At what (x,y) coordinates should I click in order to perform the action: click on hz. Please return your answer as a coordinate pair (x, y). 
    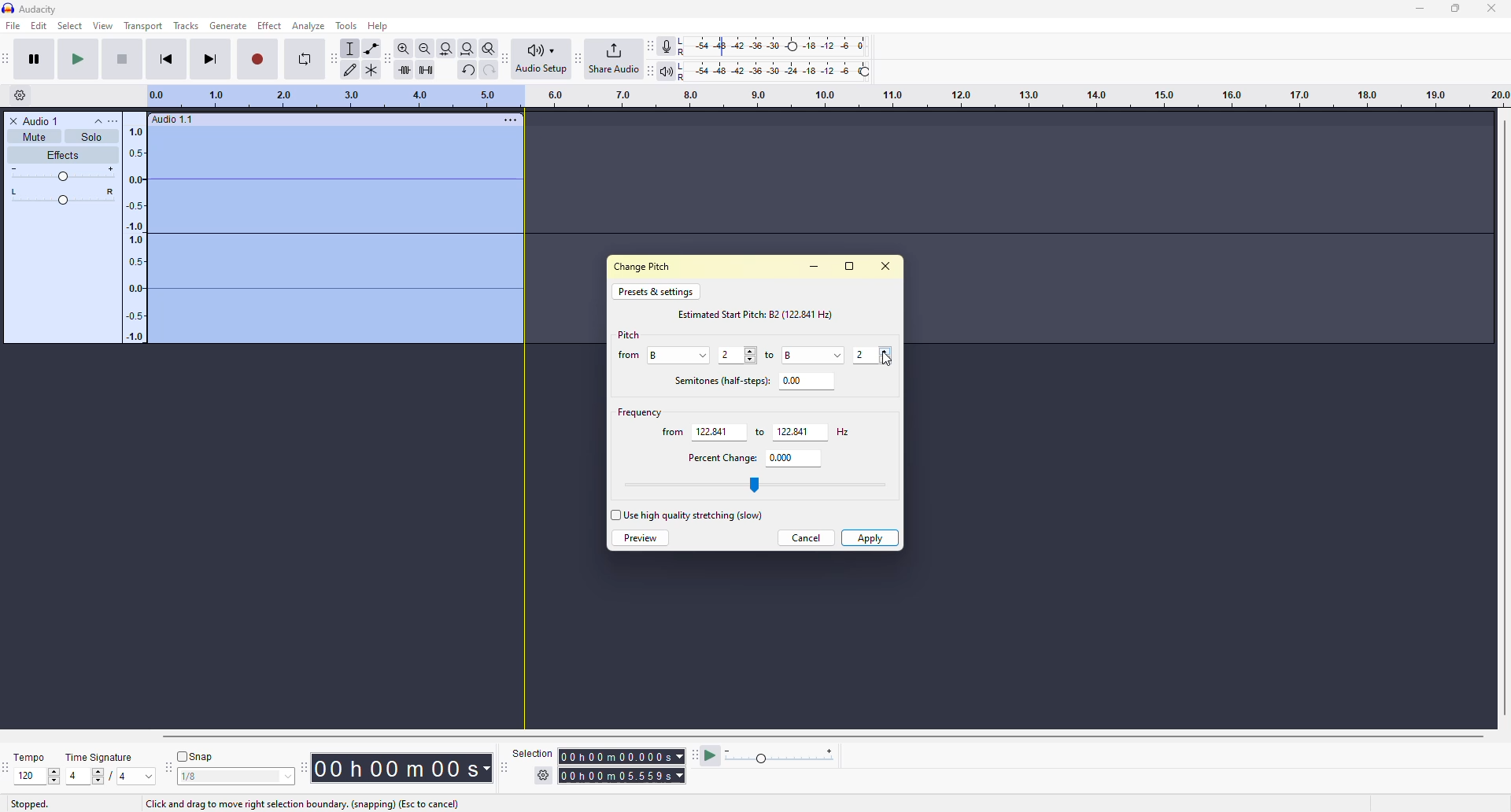
    Looking at the image, I should click on (840, 431).